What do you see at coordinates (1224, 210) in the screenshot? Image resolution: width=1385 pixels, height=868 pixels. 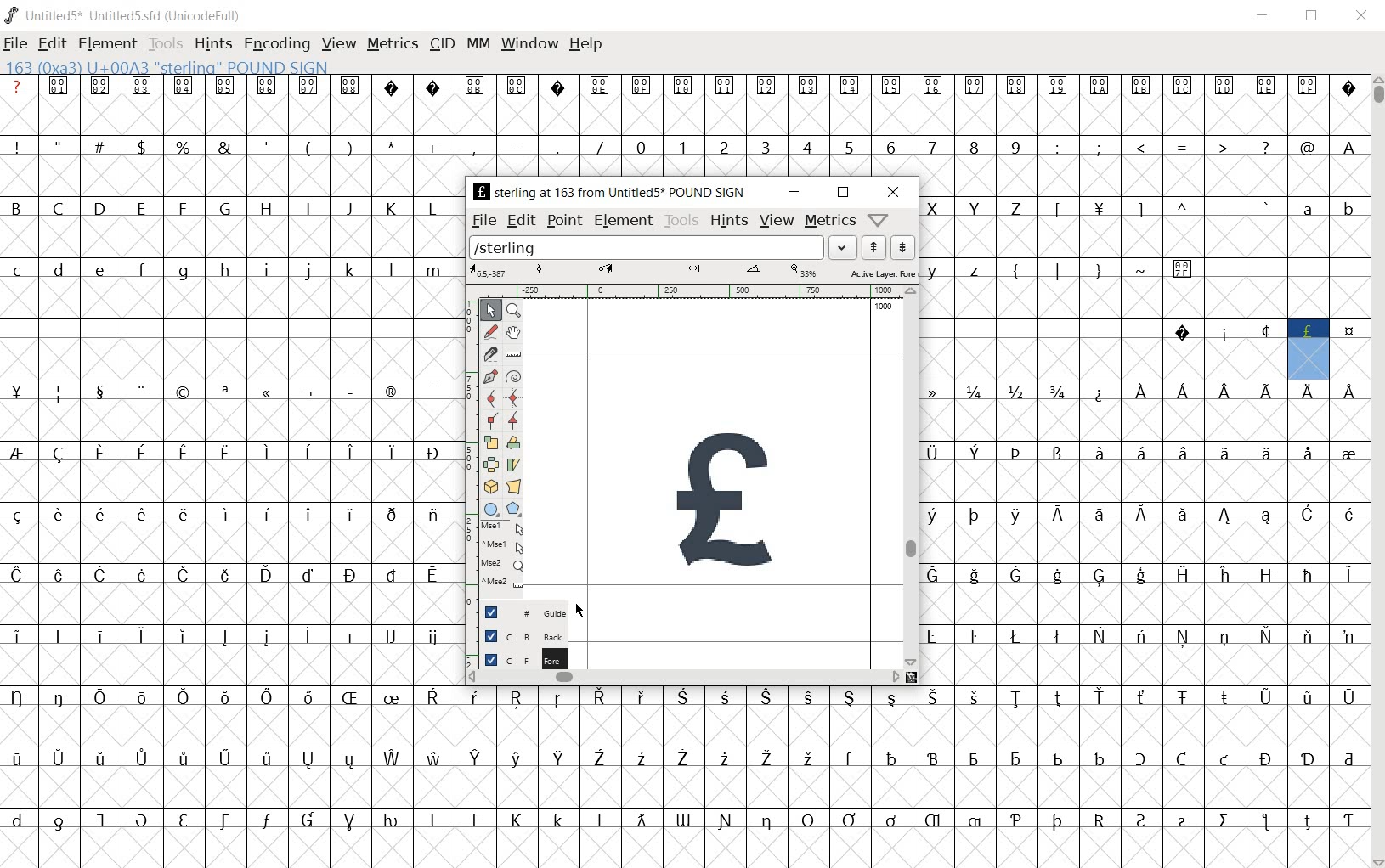 I see `_` at bounding box center [1224, 210].